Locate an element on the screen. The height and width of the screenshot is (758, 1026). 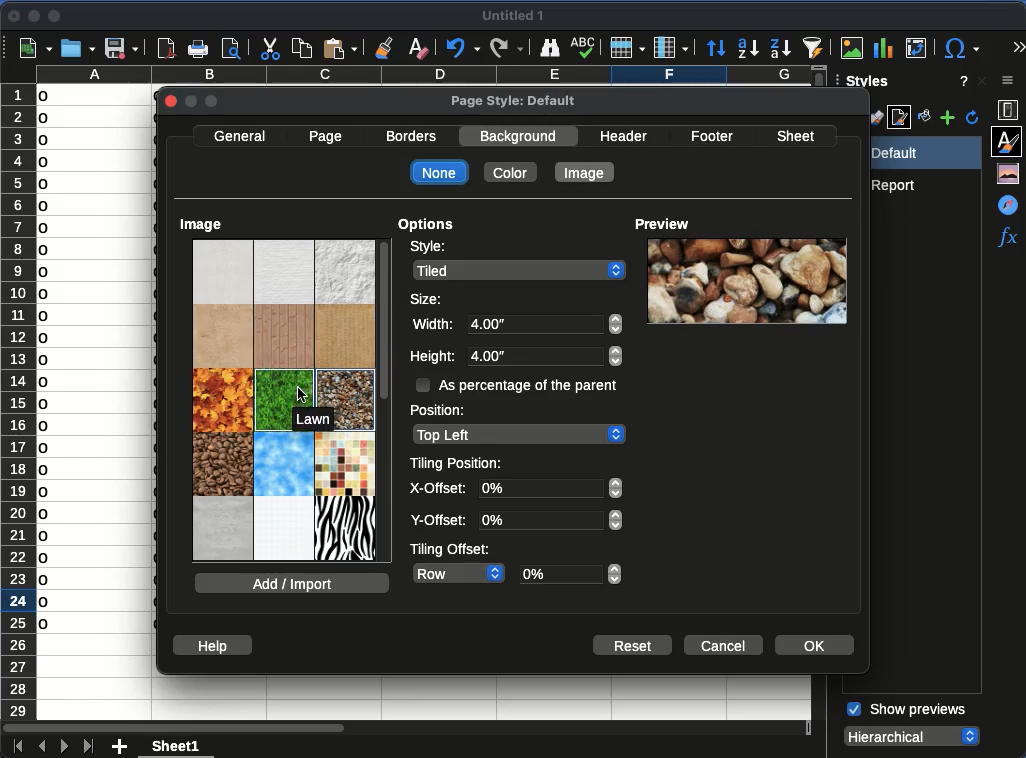
page style is located at coordinates (901, 119).